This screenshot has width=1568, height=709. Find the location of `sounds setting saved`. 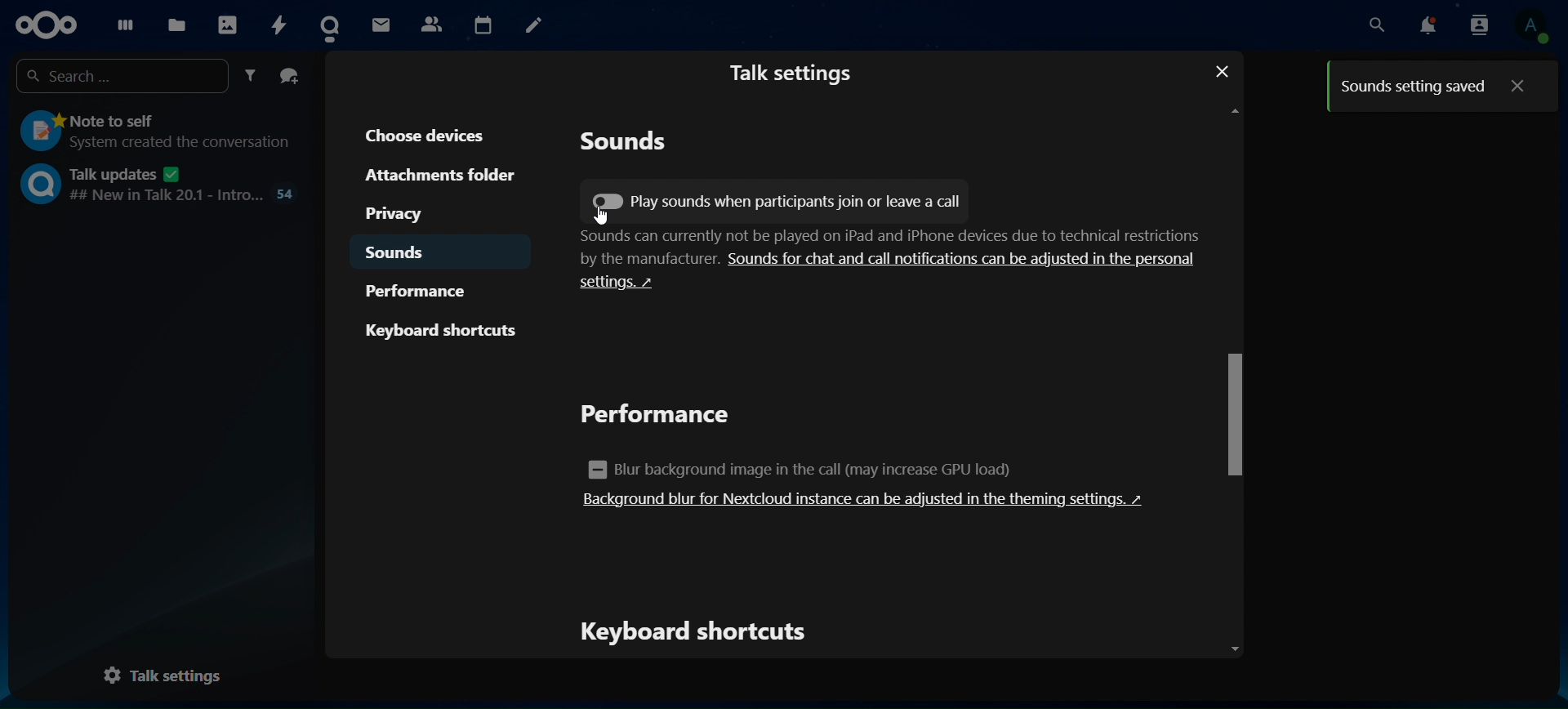

sounds setting saved is located at coordinates (1408, 83).